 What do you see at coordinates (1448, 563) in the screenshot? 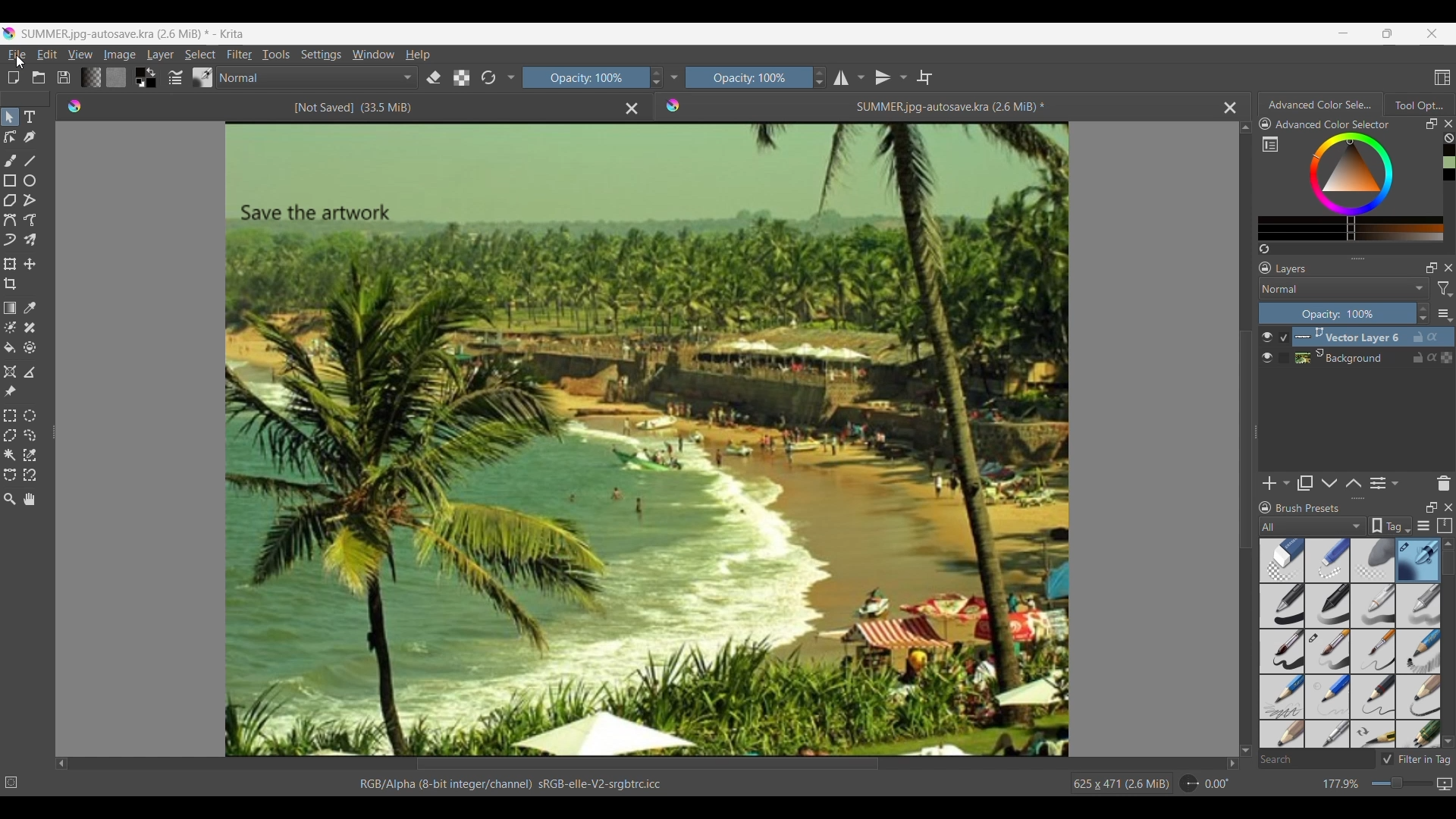
I see `Vertical slide bar` at bounding box center [1448, 563].